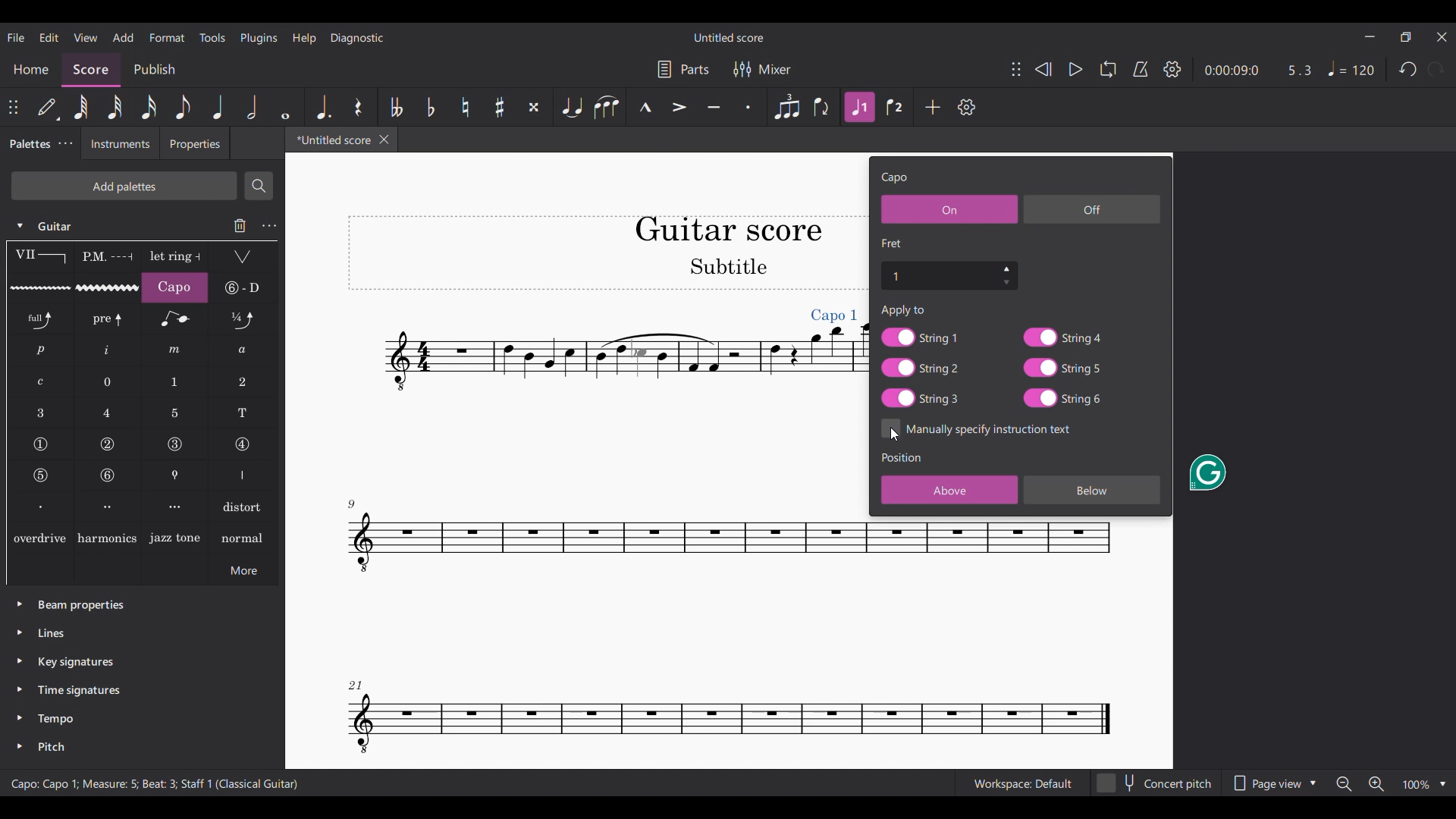 The width and height of the screenshot is (1456, 819). What do you see at coordinates (762, 69) in the screenshot?
I see `Mixer settings` at bounding box center [762, 69].